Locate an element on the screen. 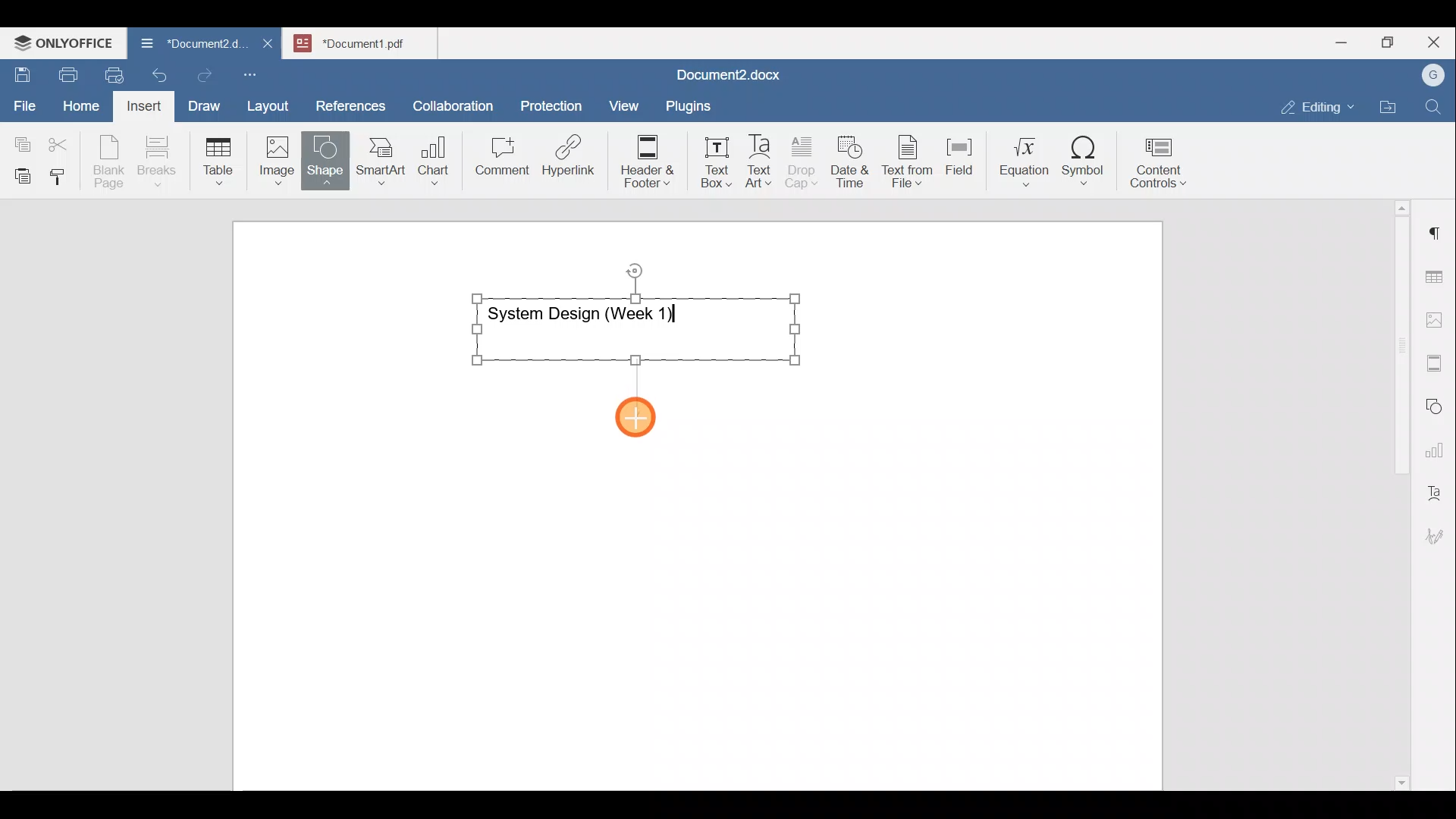 The width and height of the screenshot is (1456, 819). Document name is located at coordinates (185, 45).